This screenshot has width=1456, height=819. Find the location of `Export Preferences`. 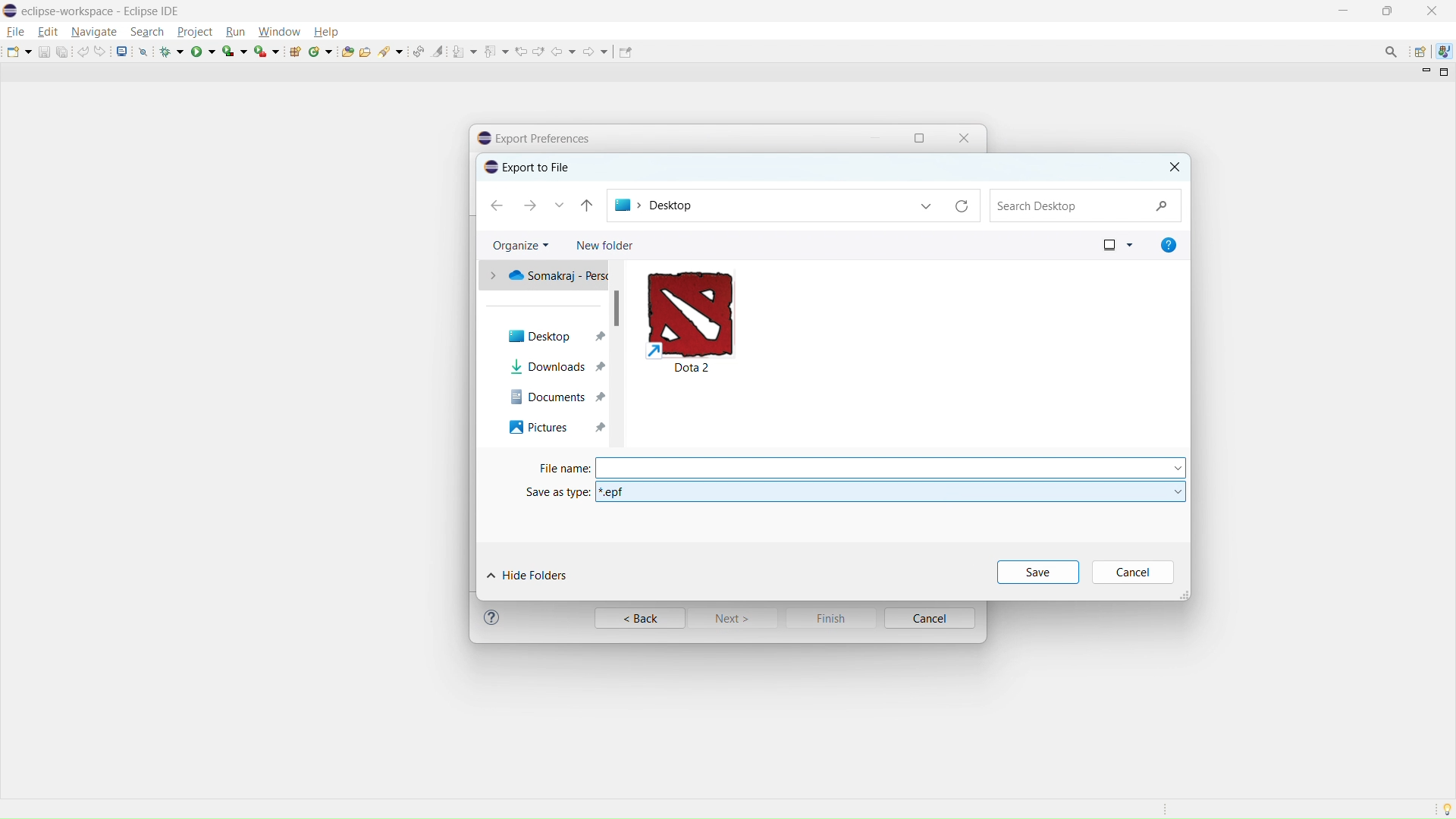

Export Preferences is located at coordinates (536, 167).